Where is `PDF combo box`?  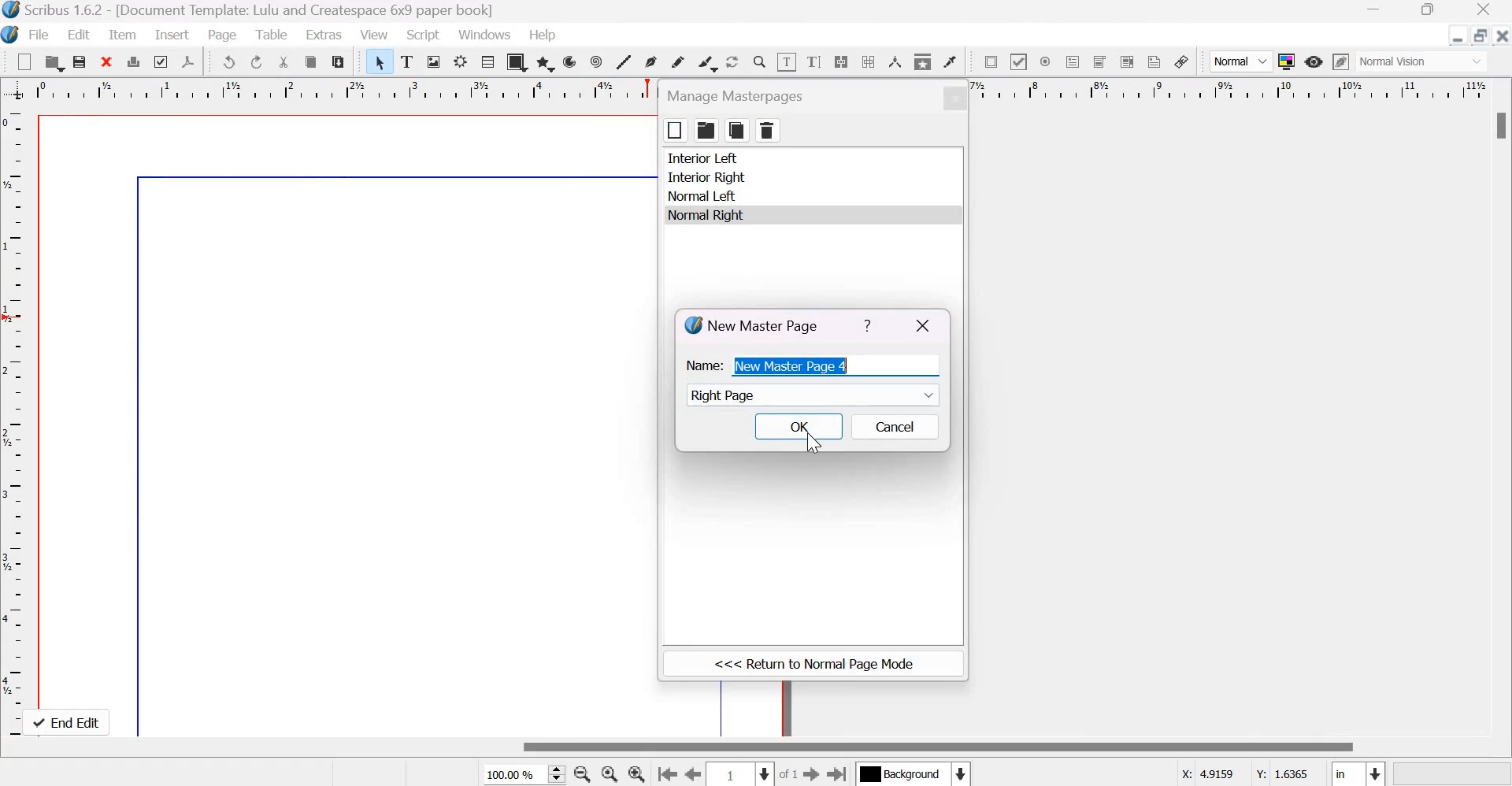
PDF combo box is located at coordinates (1099, 62).